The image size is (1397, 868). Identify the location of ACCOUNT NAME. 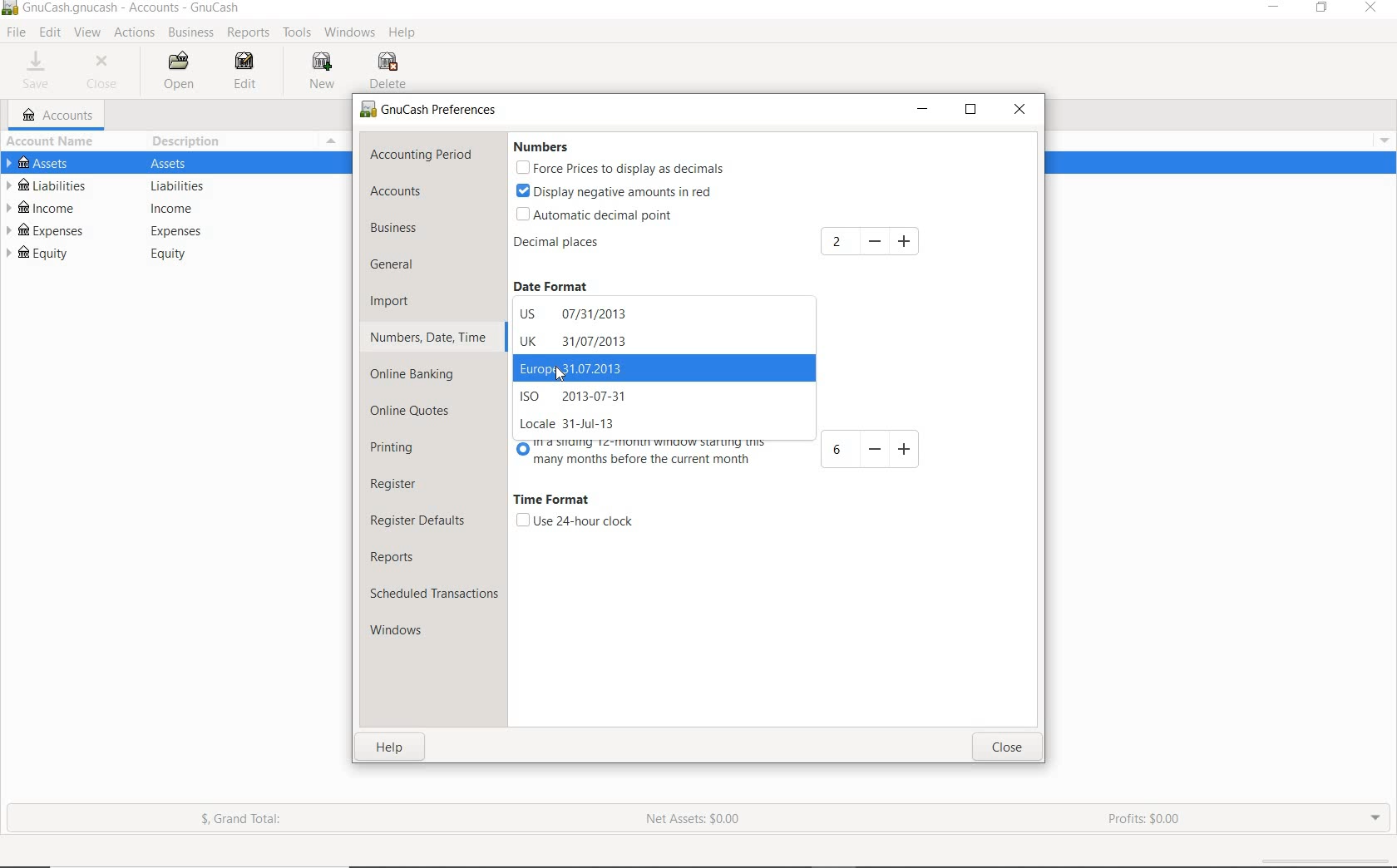
(53, 142).